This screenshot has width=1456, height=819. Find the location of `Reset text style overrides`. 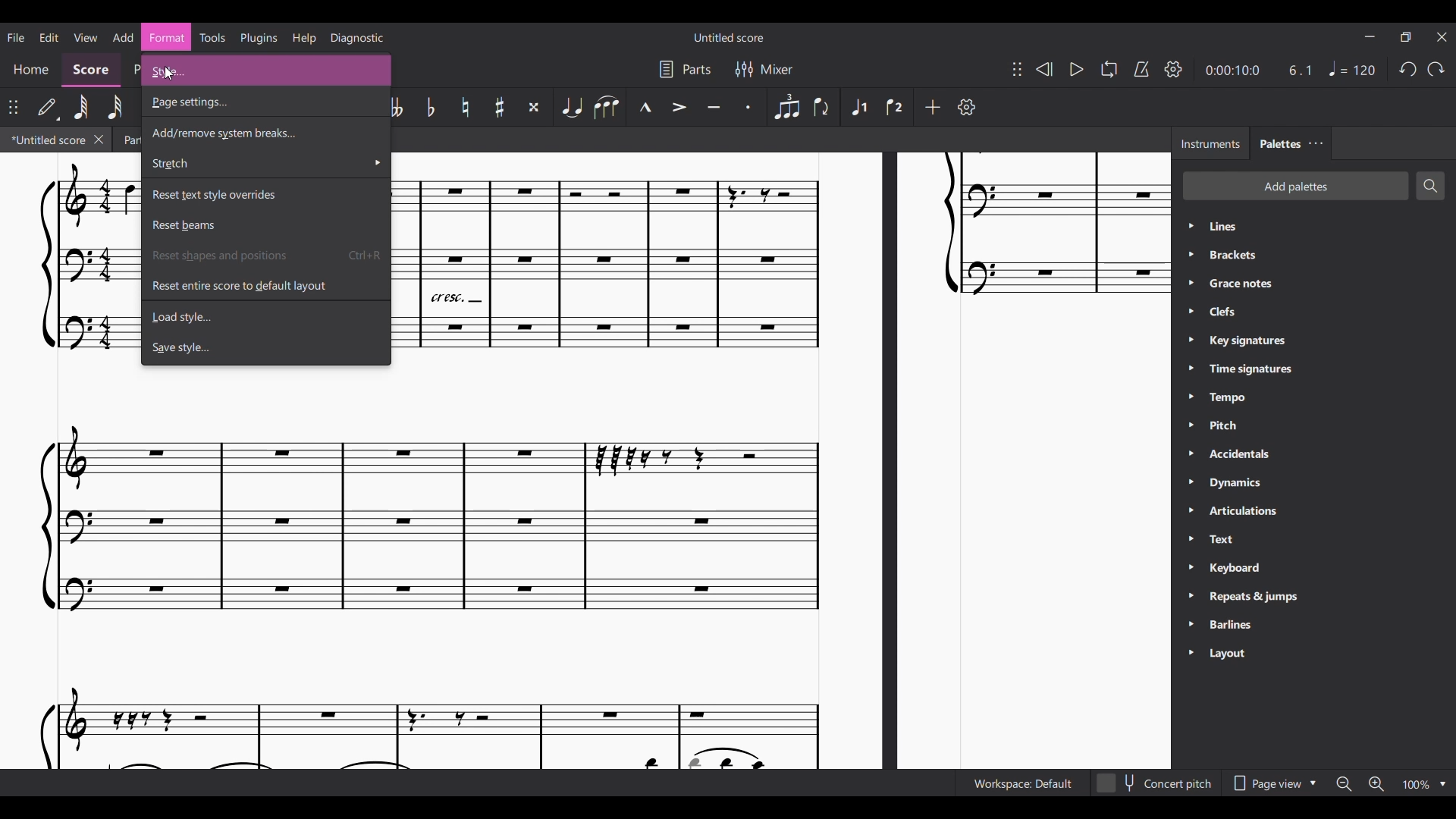

Reset text style overrides is located at coordinates (265, 193).